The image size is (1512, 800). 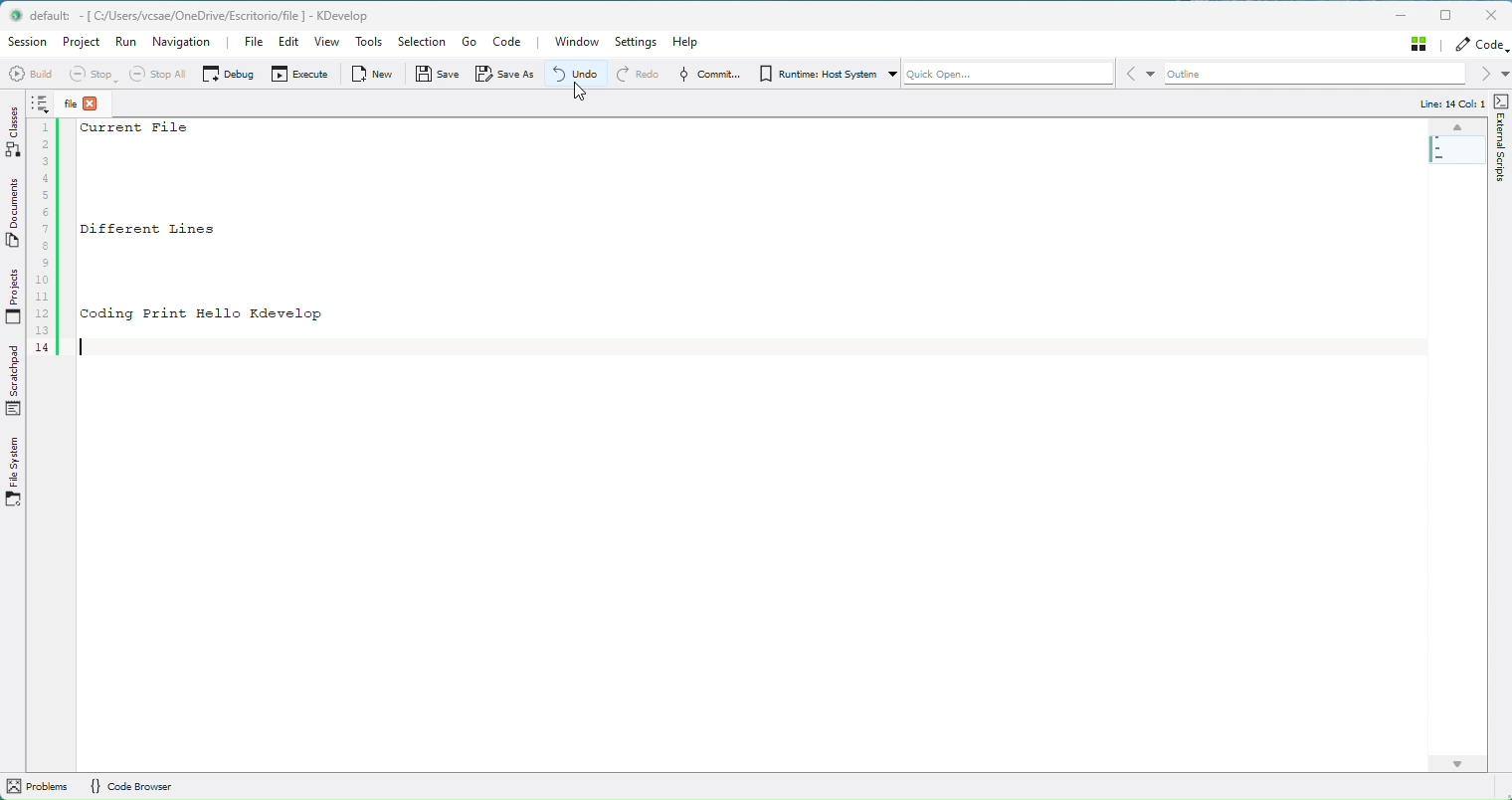 I want to click on Edit, so click(x=286, y=44).